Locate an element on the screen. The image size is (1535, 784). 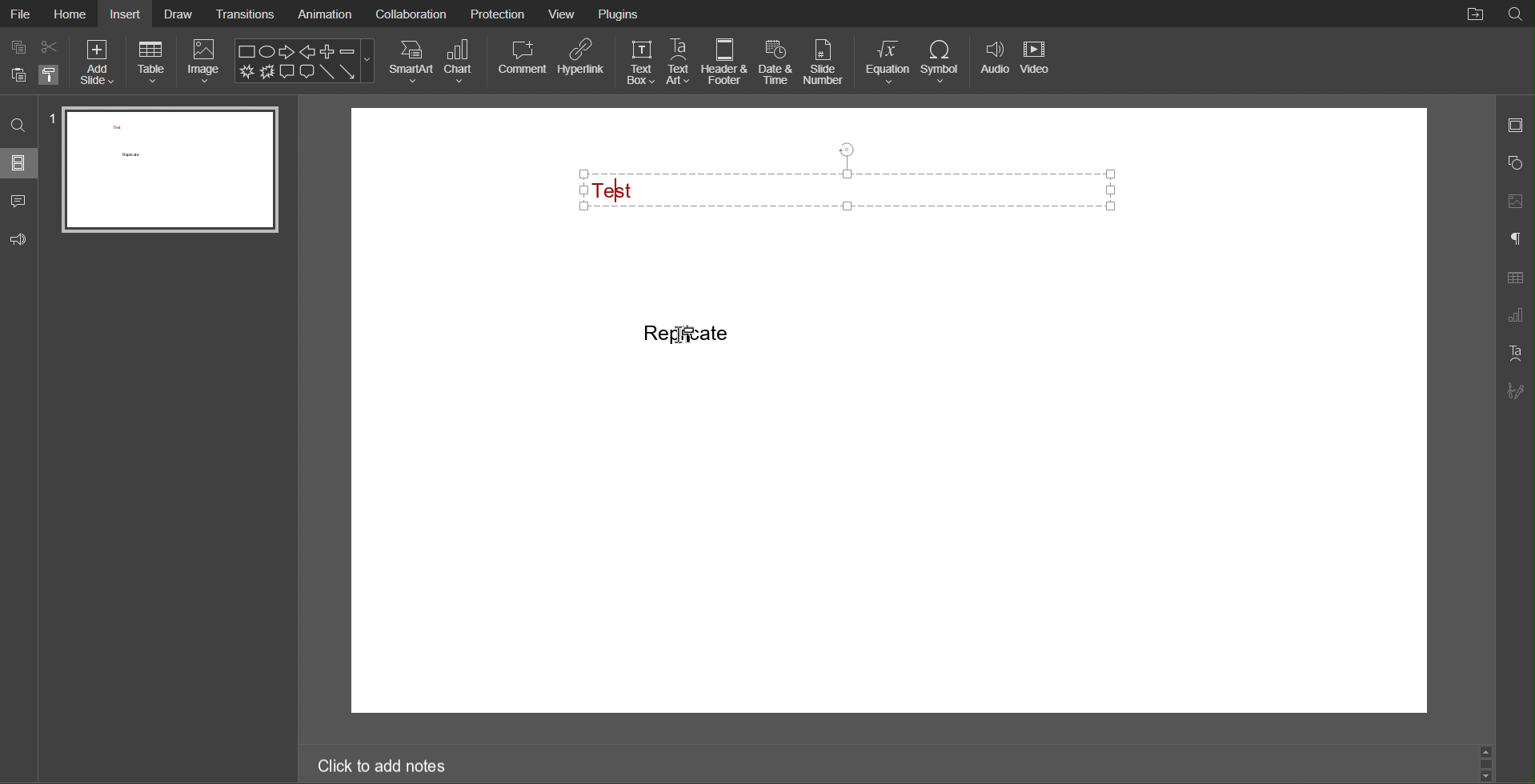
Text Box is located at coordinates (639, 62).